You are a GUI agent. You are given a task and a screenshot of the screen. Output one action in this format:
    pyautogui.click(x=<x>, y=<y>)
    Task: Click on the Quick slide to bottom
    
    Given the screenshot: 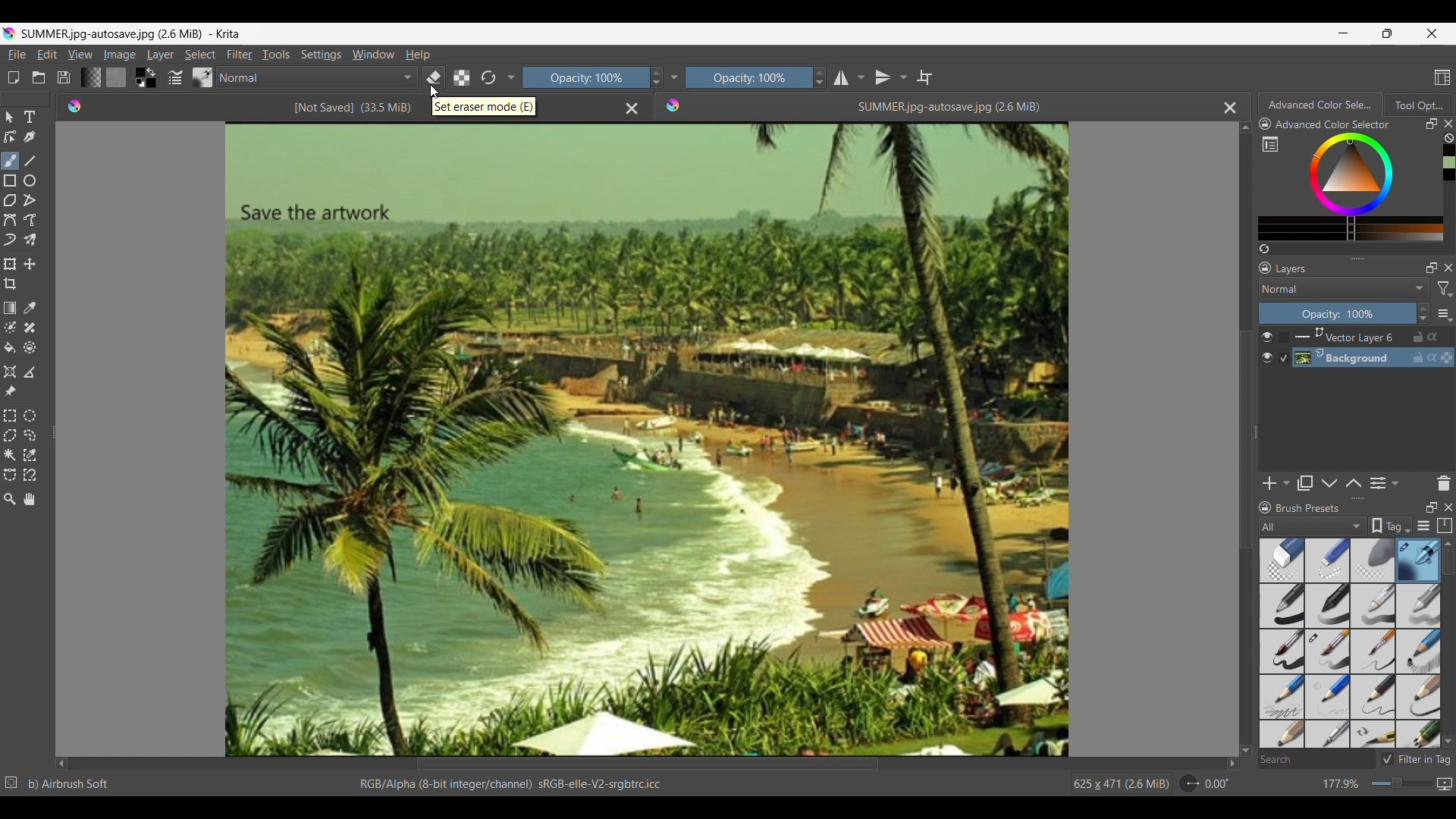 What is the action you would take?
    pyautogui.click(x=1245, y=751)
    